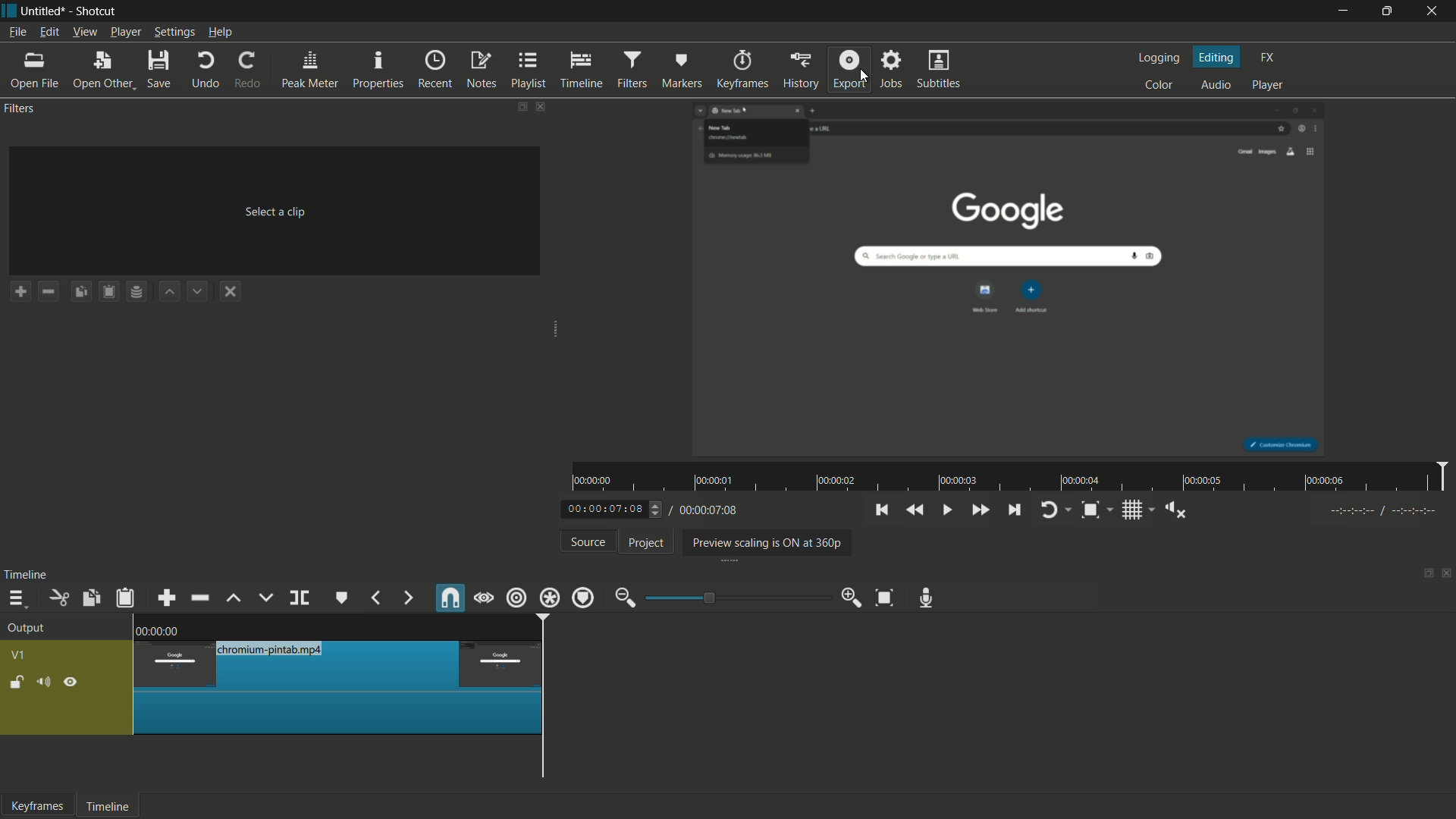  What do you see at coordinates (630, 71) in the screenshot?
I see `filters` at bounding box center [630, 71].